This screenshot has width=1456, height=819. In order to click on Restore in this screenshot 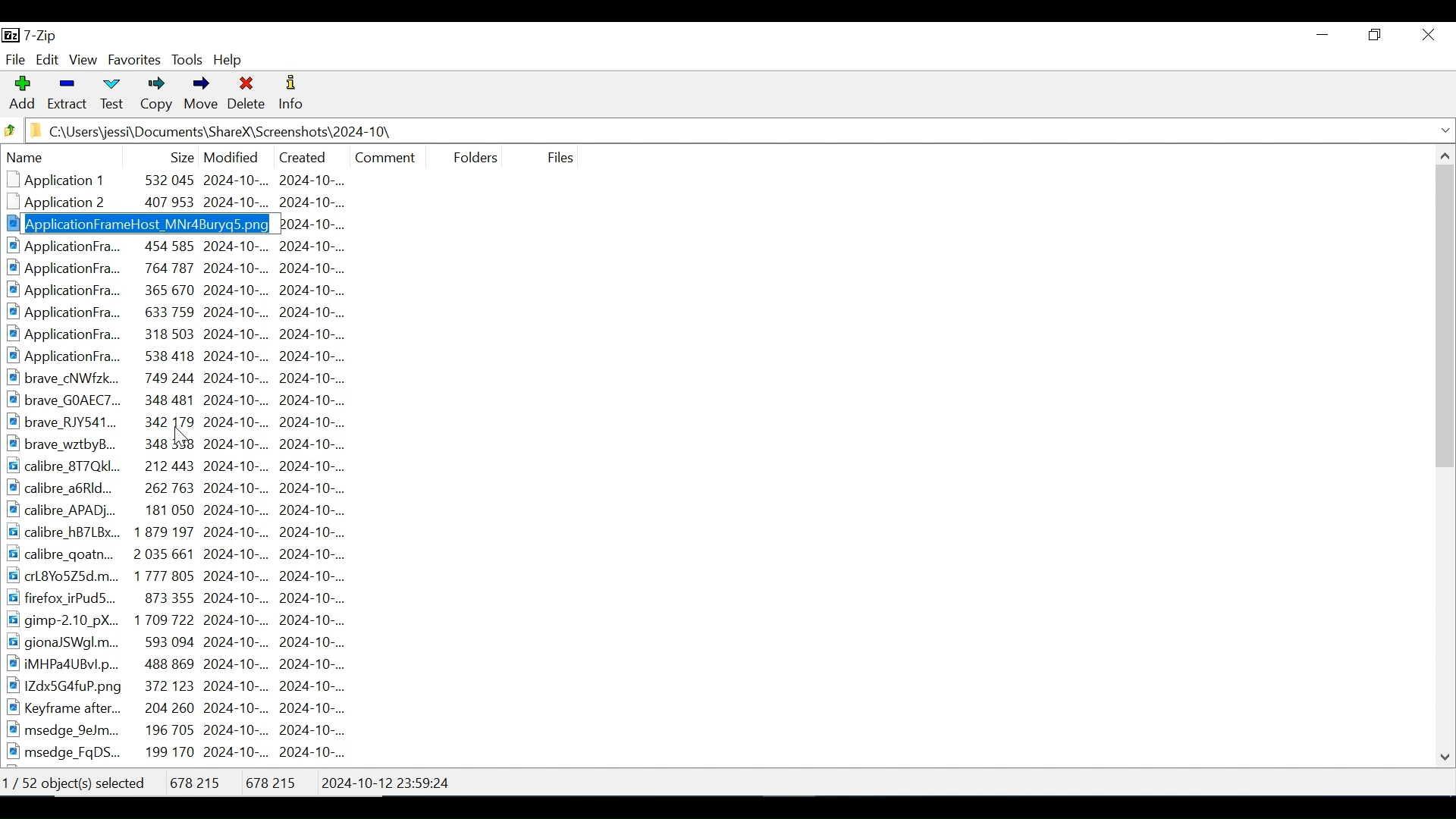, I will do `click(1377, 34)`.